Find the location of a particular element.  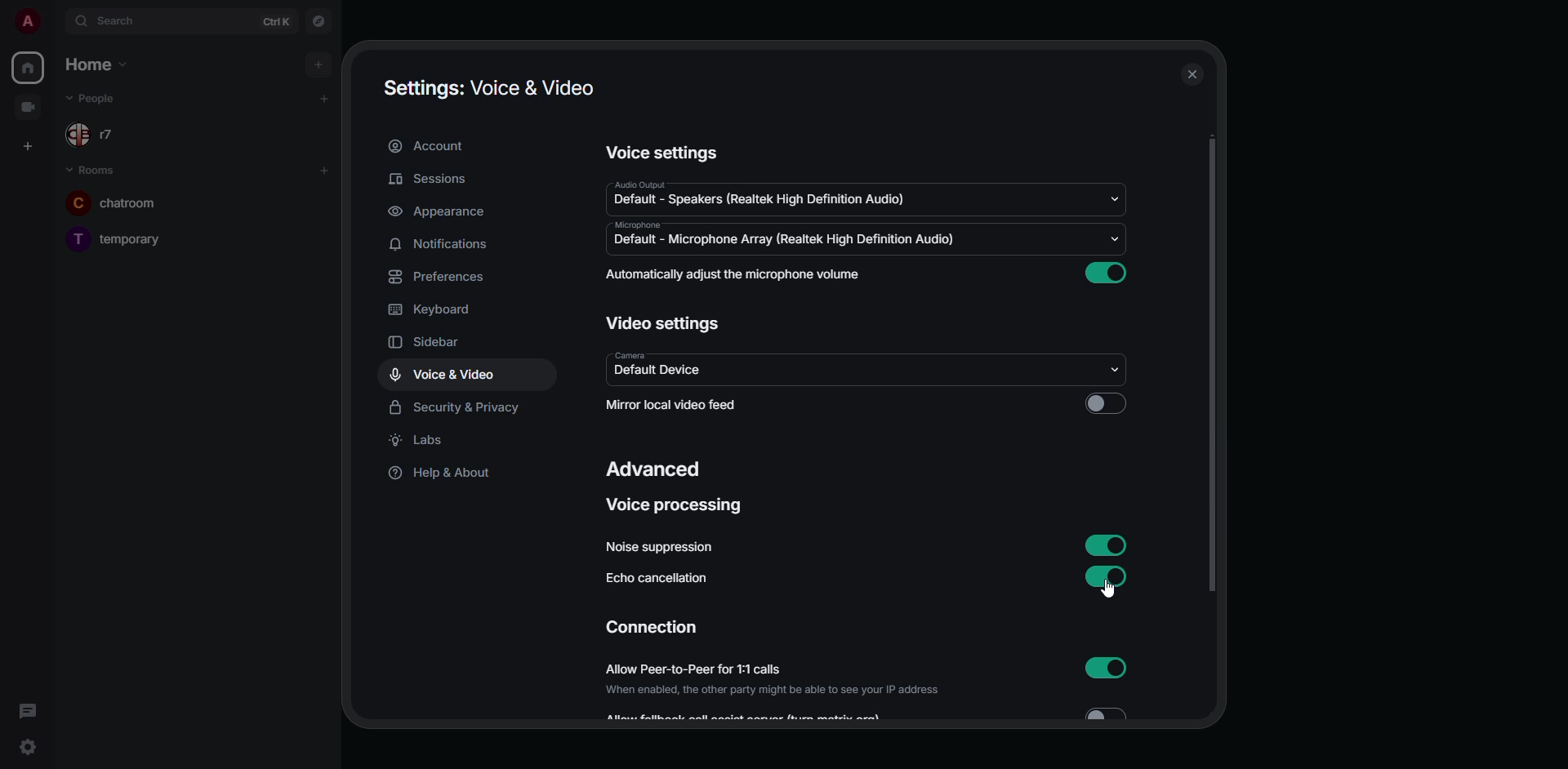

create space is located at coordinates (32, 145).